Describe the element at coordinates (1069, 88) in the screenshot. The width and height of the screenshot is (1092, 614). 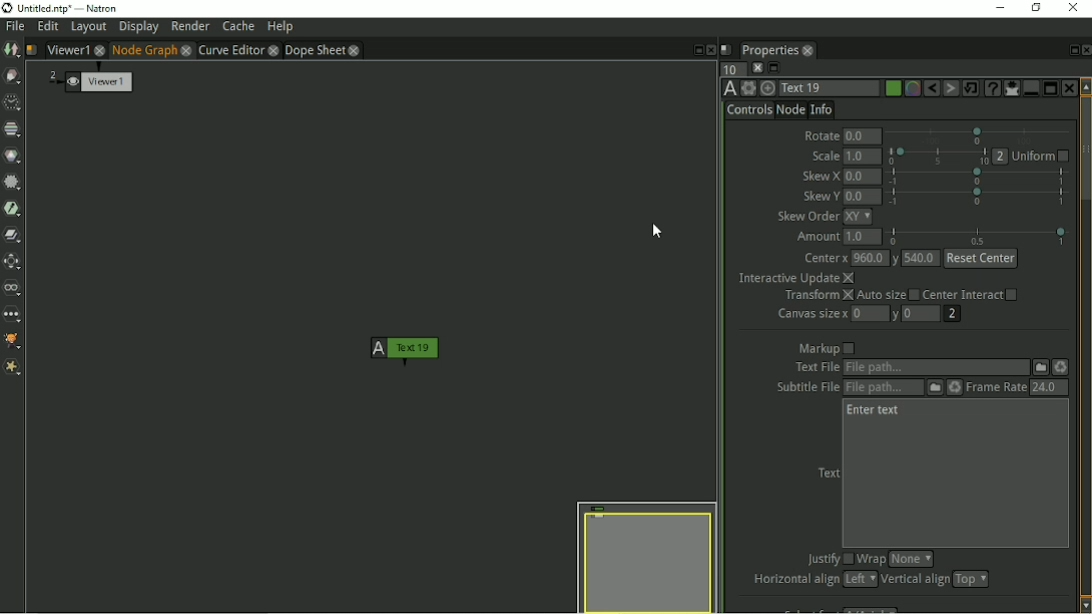
I see `Close` at that location.